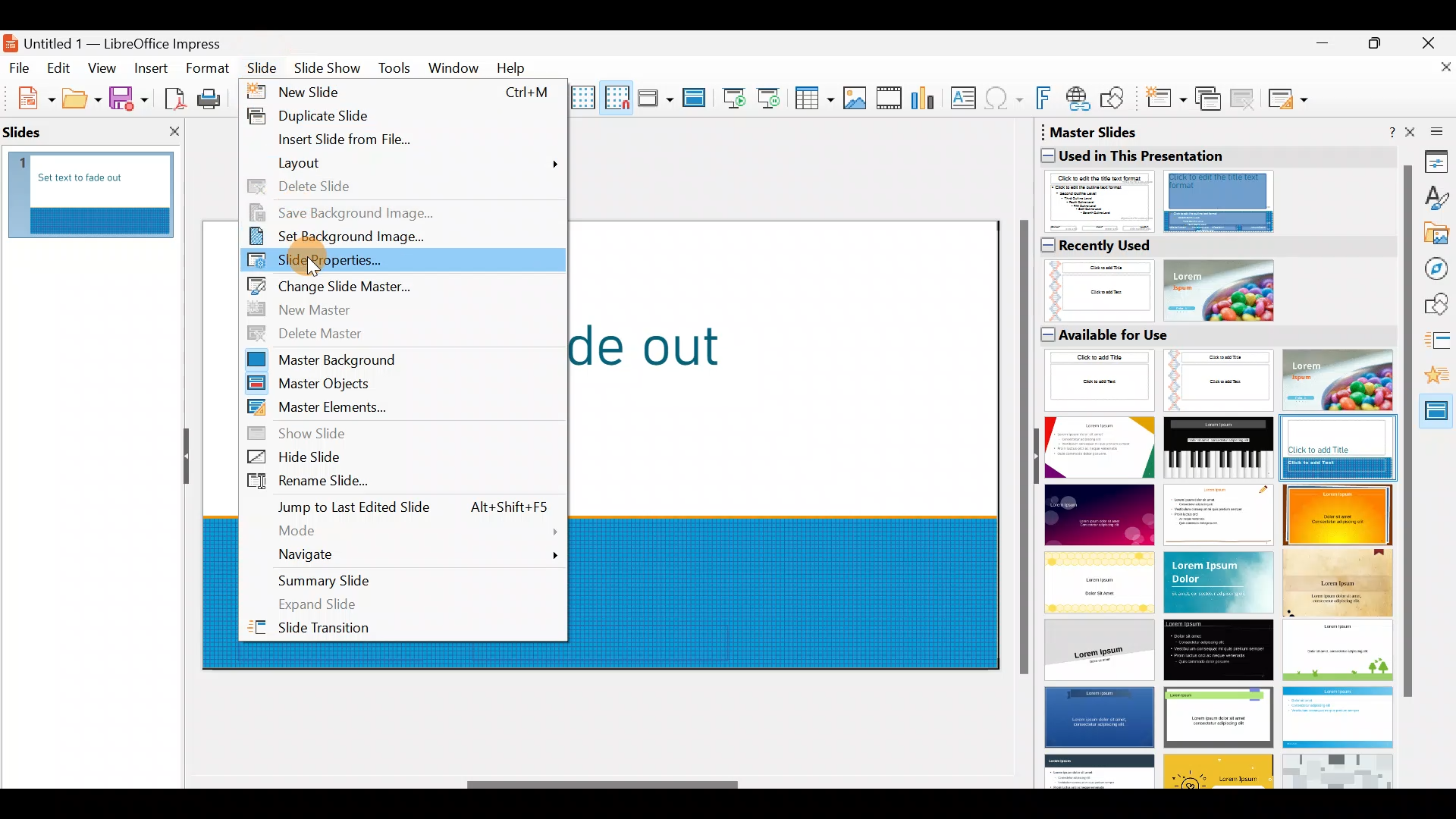 This screenshot has width=1456, height=819. Describe the element at coordinates (457, 67) in the screenshot. I see `Window` at that location.